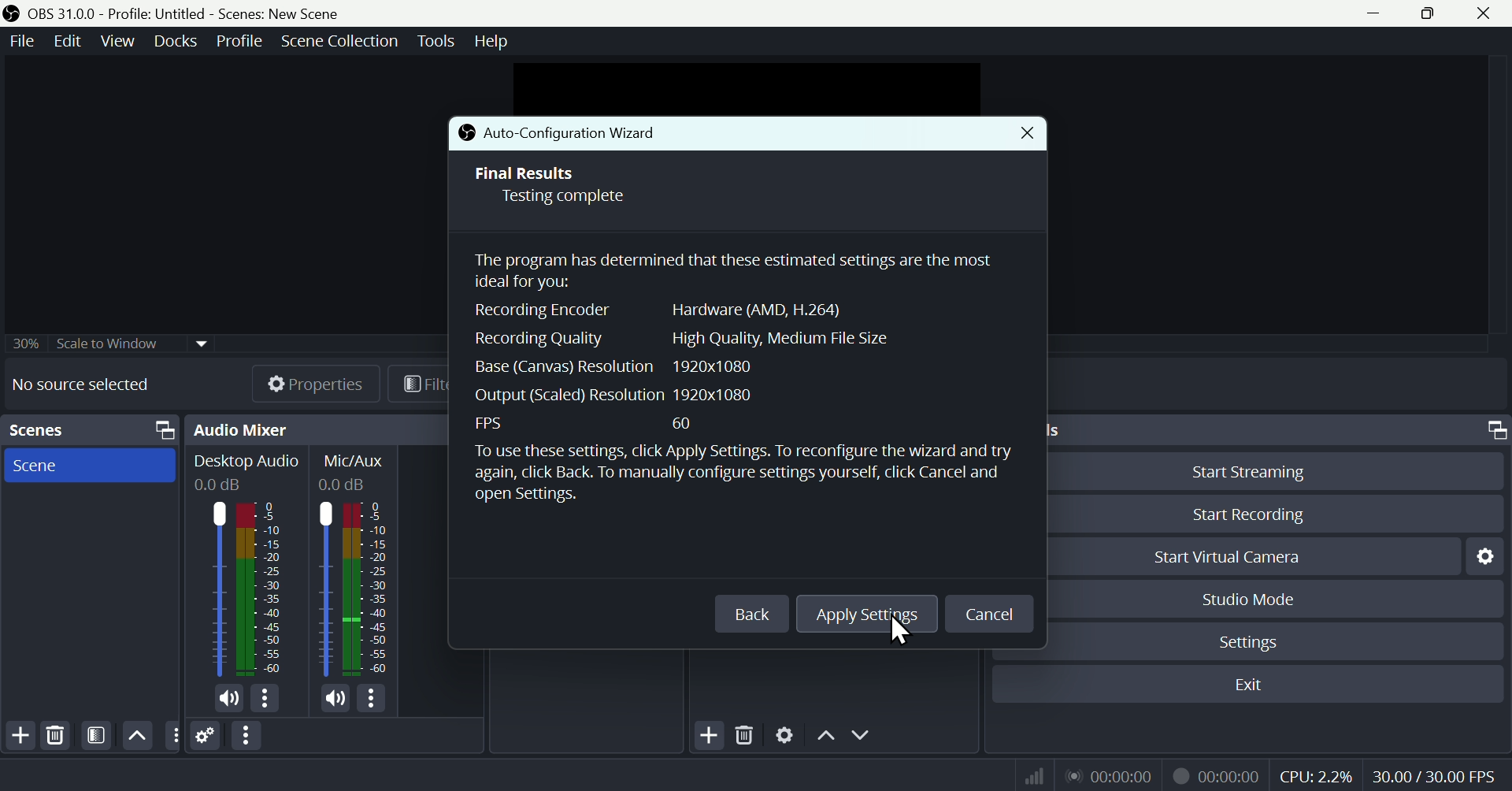 This screenshot has width=1512, height=791. What do you see at coordinates (1277, 598) in the screenshot?
I see `Studio Mode` at bounding box center [1277, 598].